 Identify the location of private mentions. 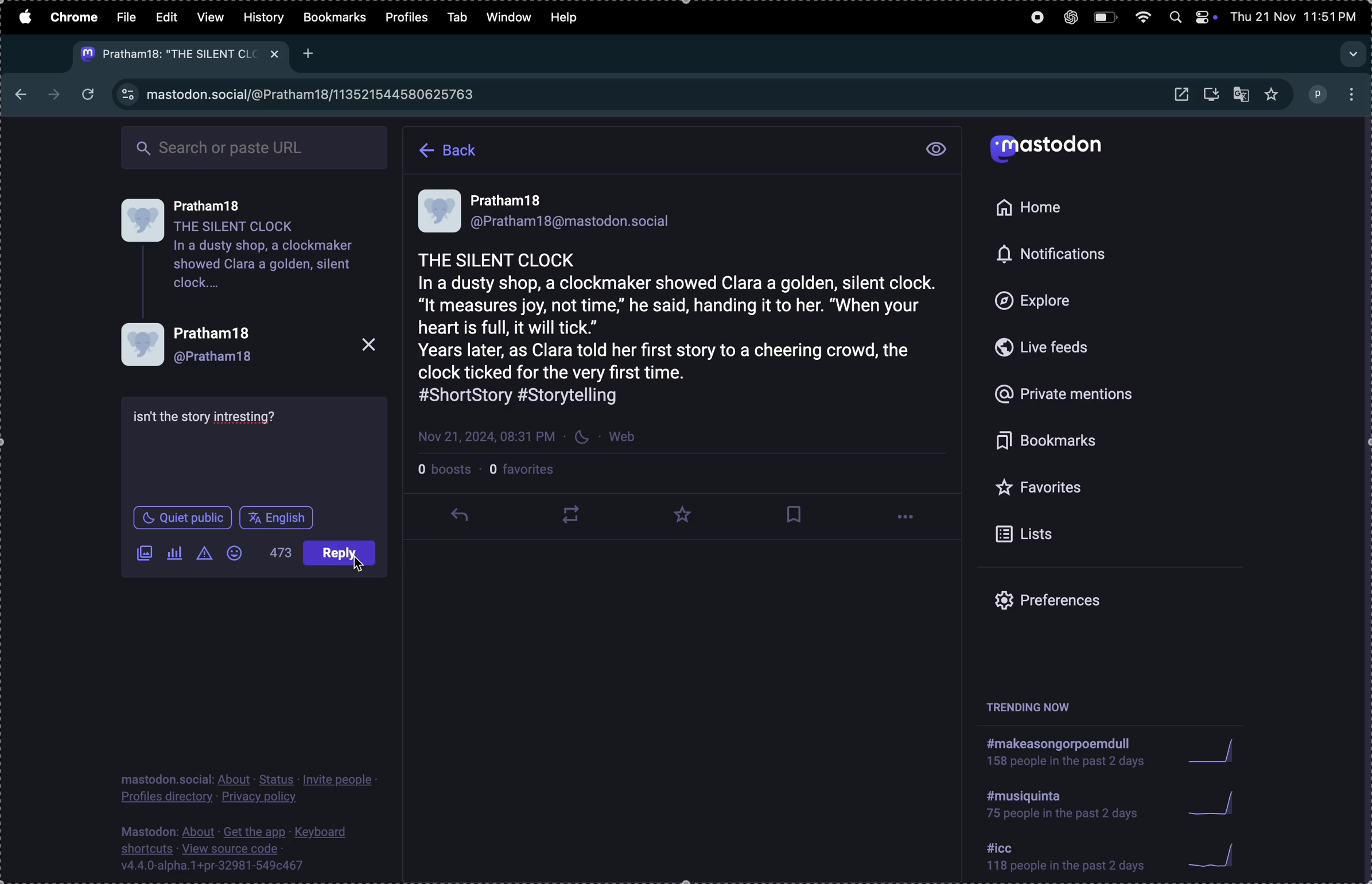
(1080, 397).